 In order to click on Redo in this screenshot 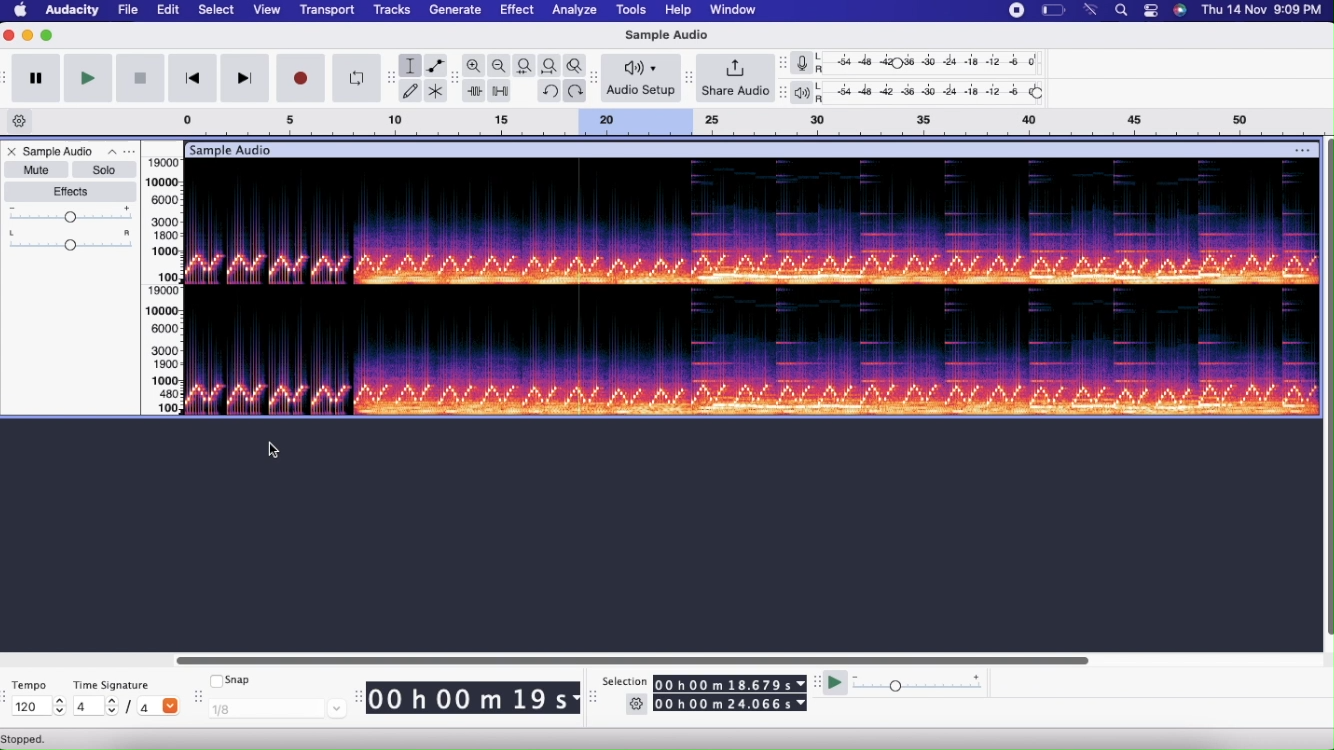, I will do `click(576, 91)`.